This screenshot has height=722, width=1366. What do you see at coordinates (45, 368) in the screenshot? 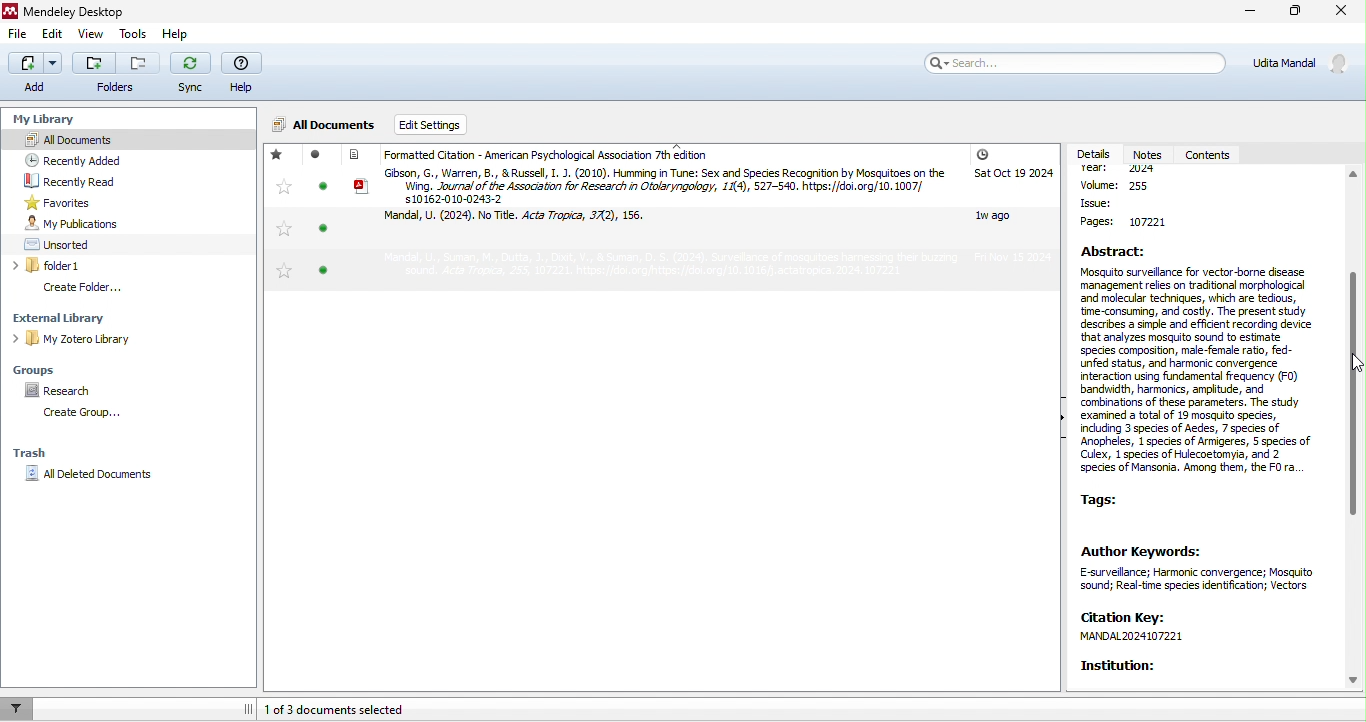
I see `groups` at bounding box center [45, 368].